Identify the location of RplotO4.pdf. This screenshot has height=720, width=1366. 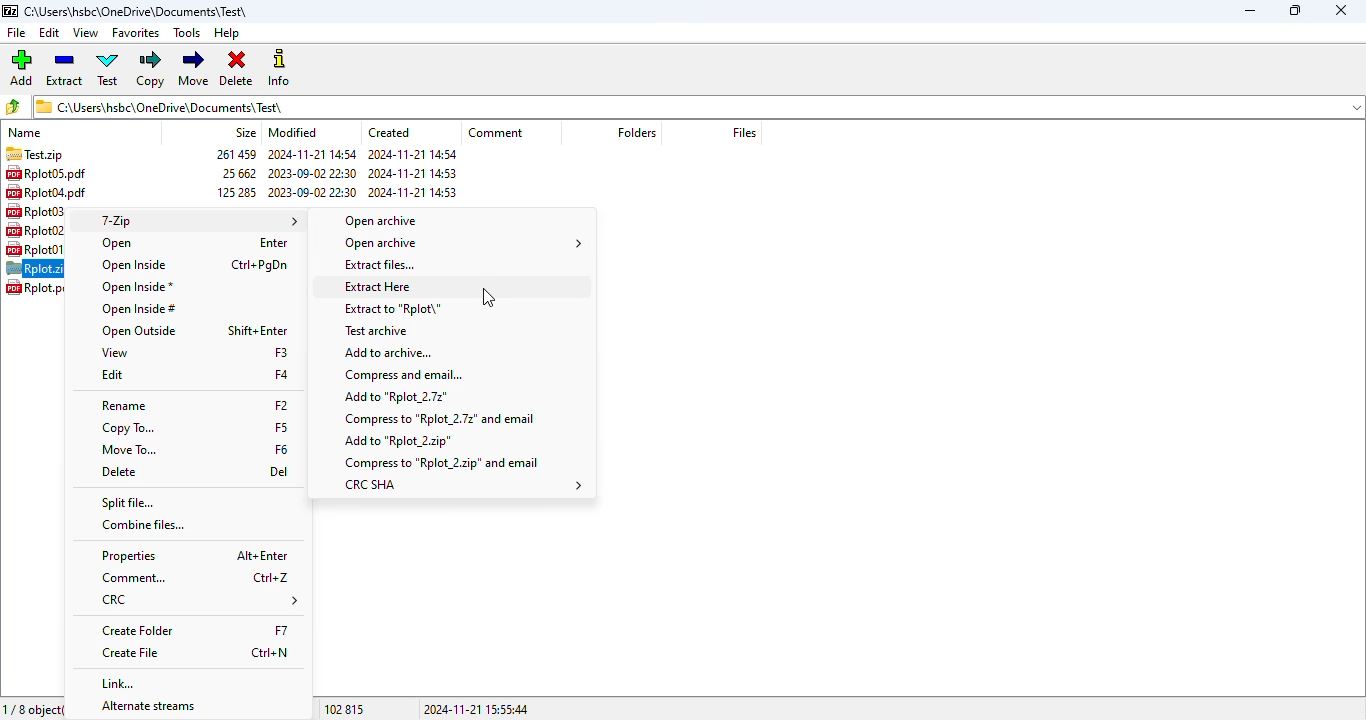
(51, 192).